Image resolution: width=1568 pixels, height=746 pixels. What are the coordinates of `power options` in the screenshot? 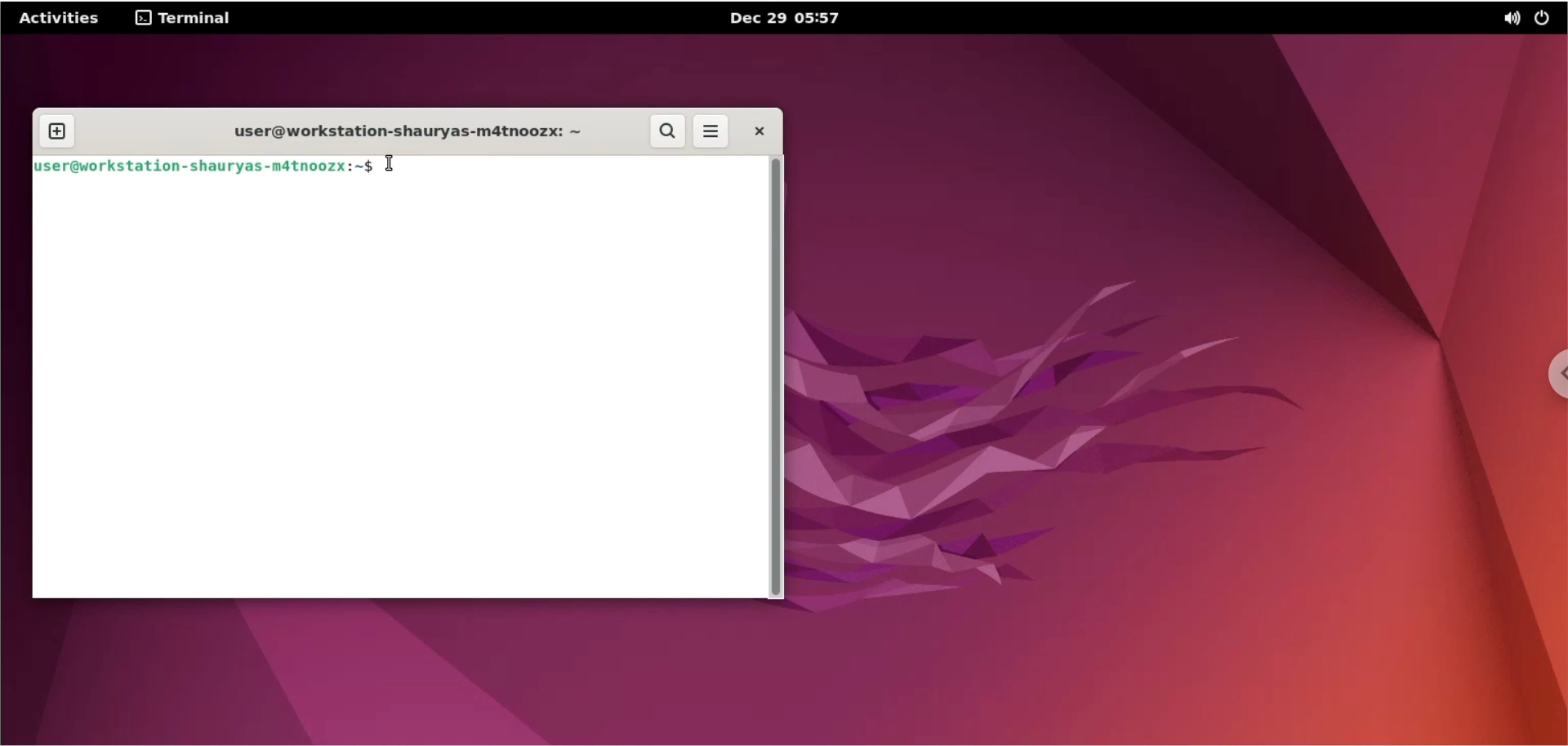 It's located at (1550, 17).